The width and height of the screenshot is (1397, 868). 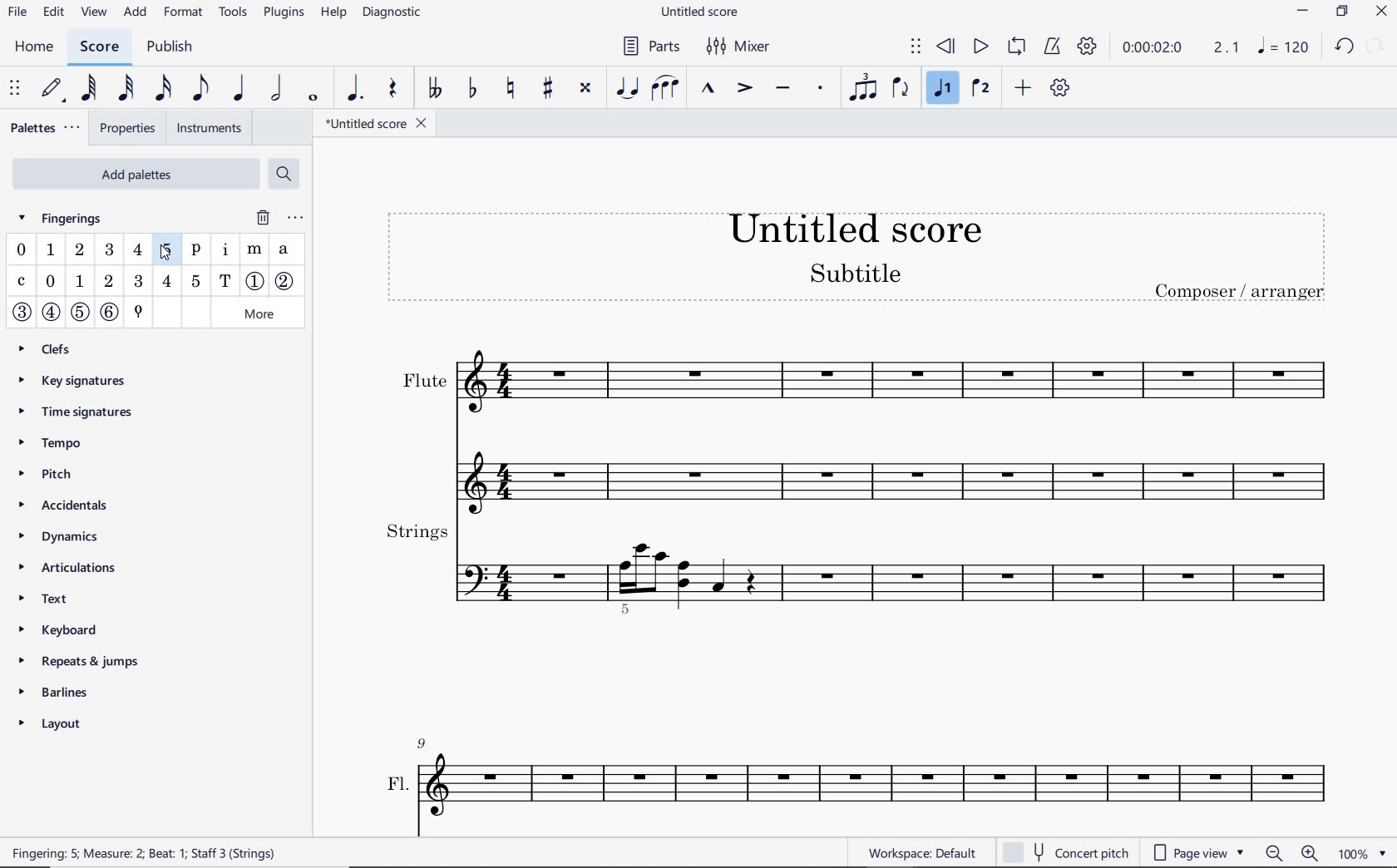 I want to click on properties, so click(x=128, y=128).